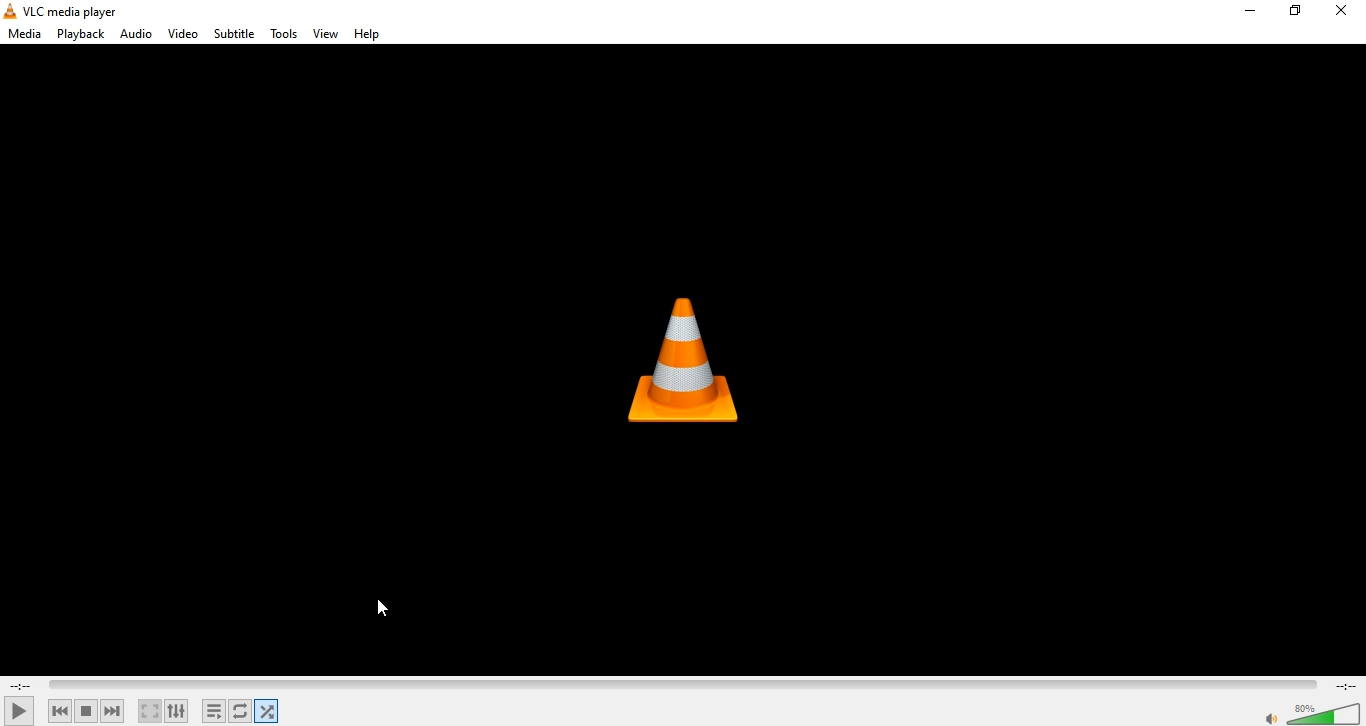  I want to click on volume, so click(1268, 717).